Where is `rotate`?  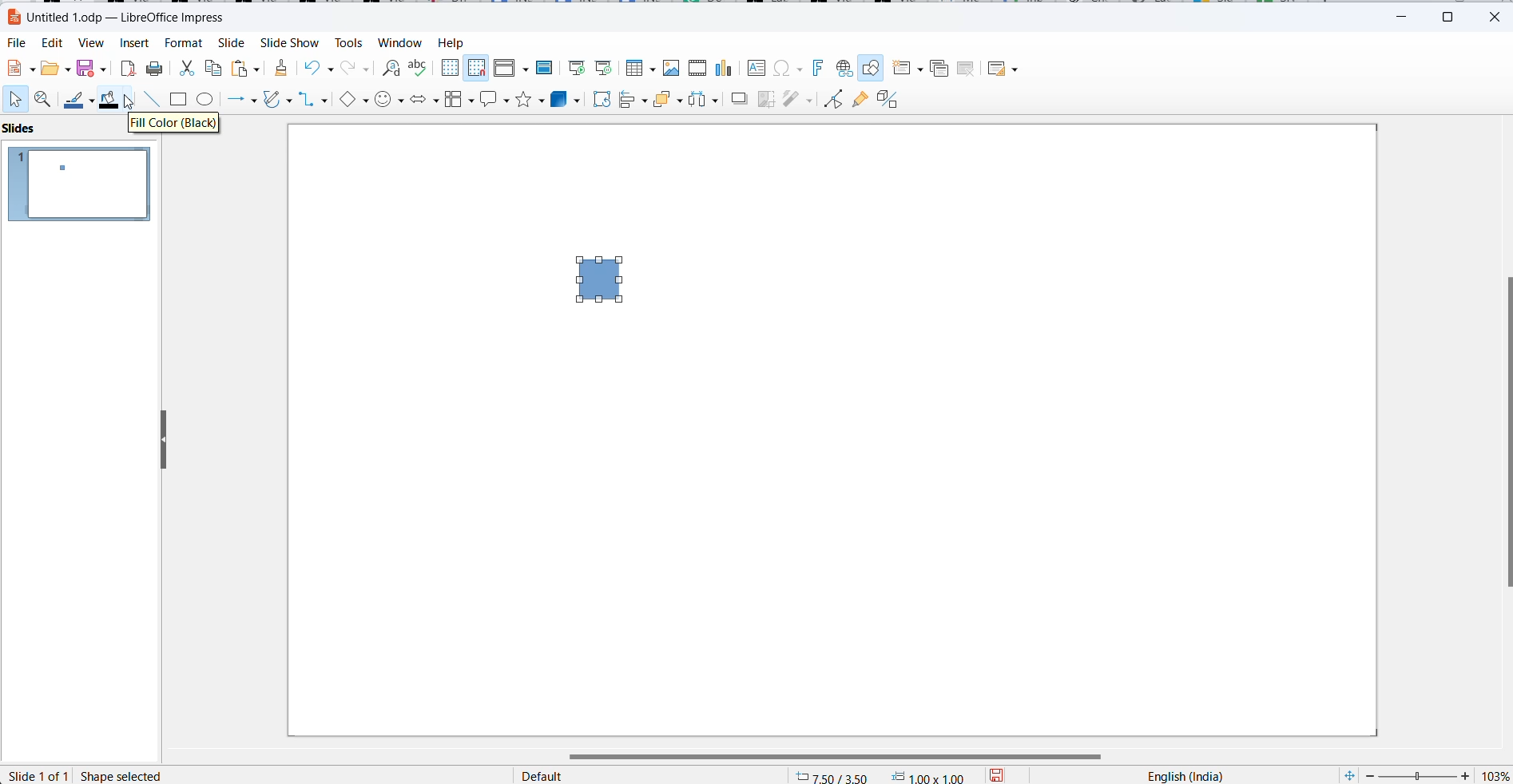
rotate is located at coordinates (599, 100).